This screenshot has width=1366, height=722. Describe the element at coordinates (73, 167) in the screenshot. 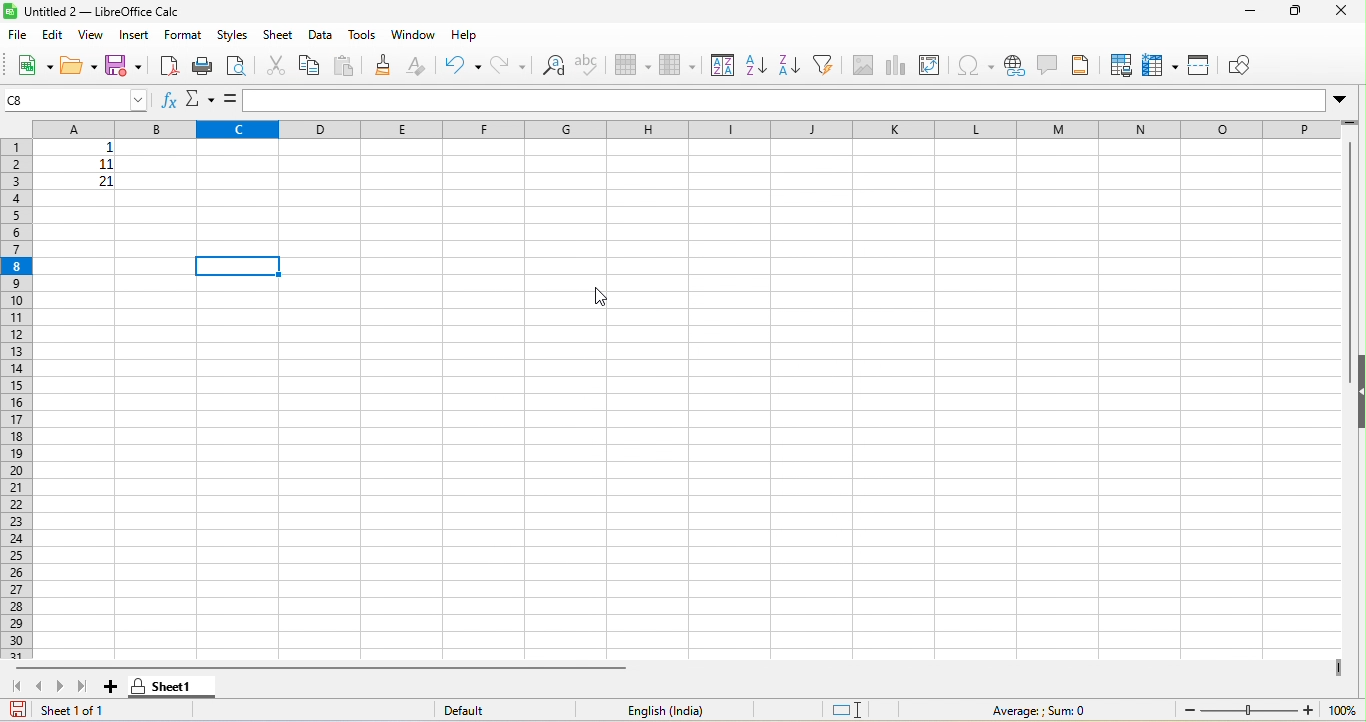

I see `cell ranges` at that location.